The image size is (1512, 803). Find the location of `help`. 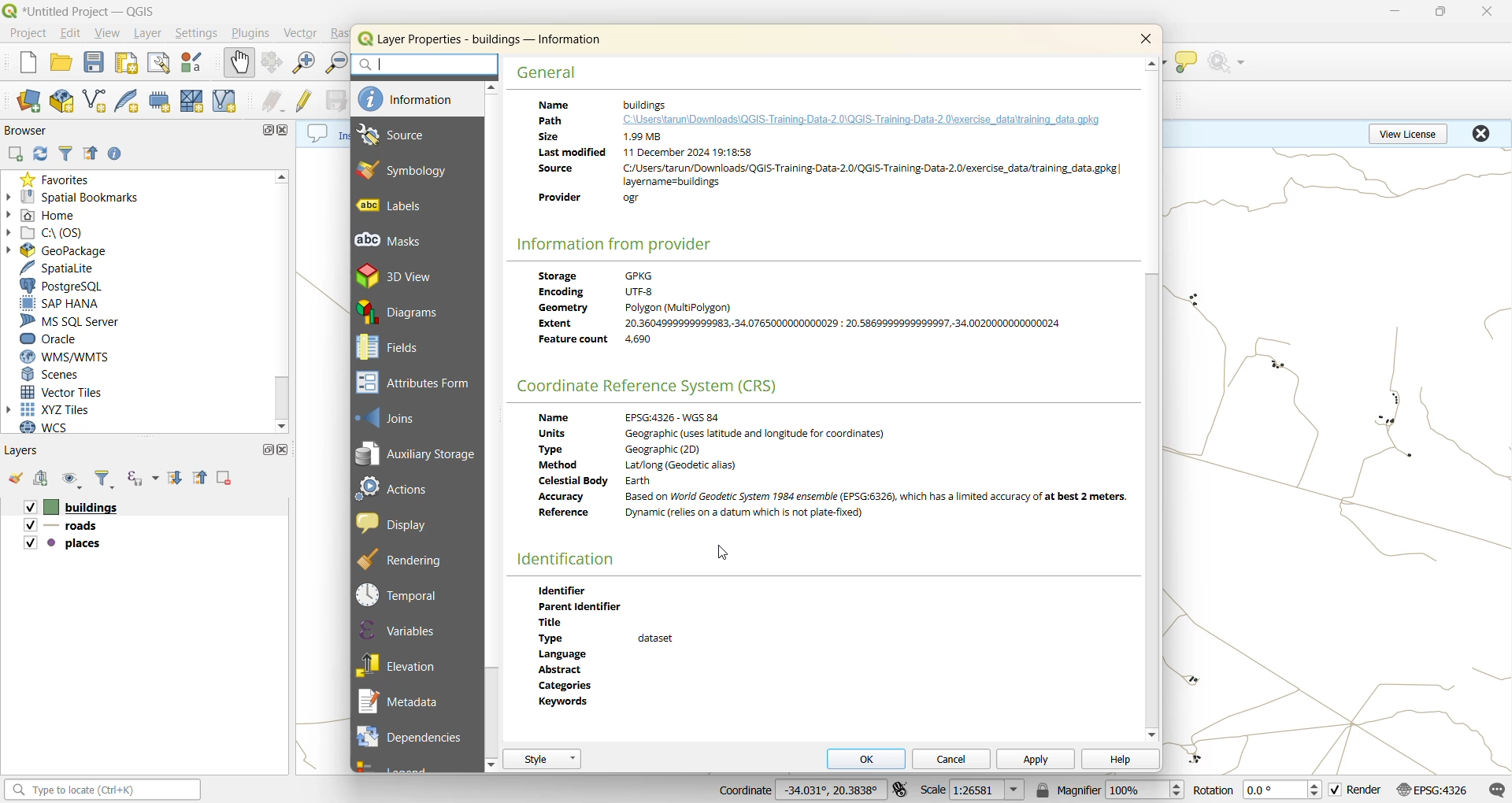

help is located at coordinates (1120, 760).